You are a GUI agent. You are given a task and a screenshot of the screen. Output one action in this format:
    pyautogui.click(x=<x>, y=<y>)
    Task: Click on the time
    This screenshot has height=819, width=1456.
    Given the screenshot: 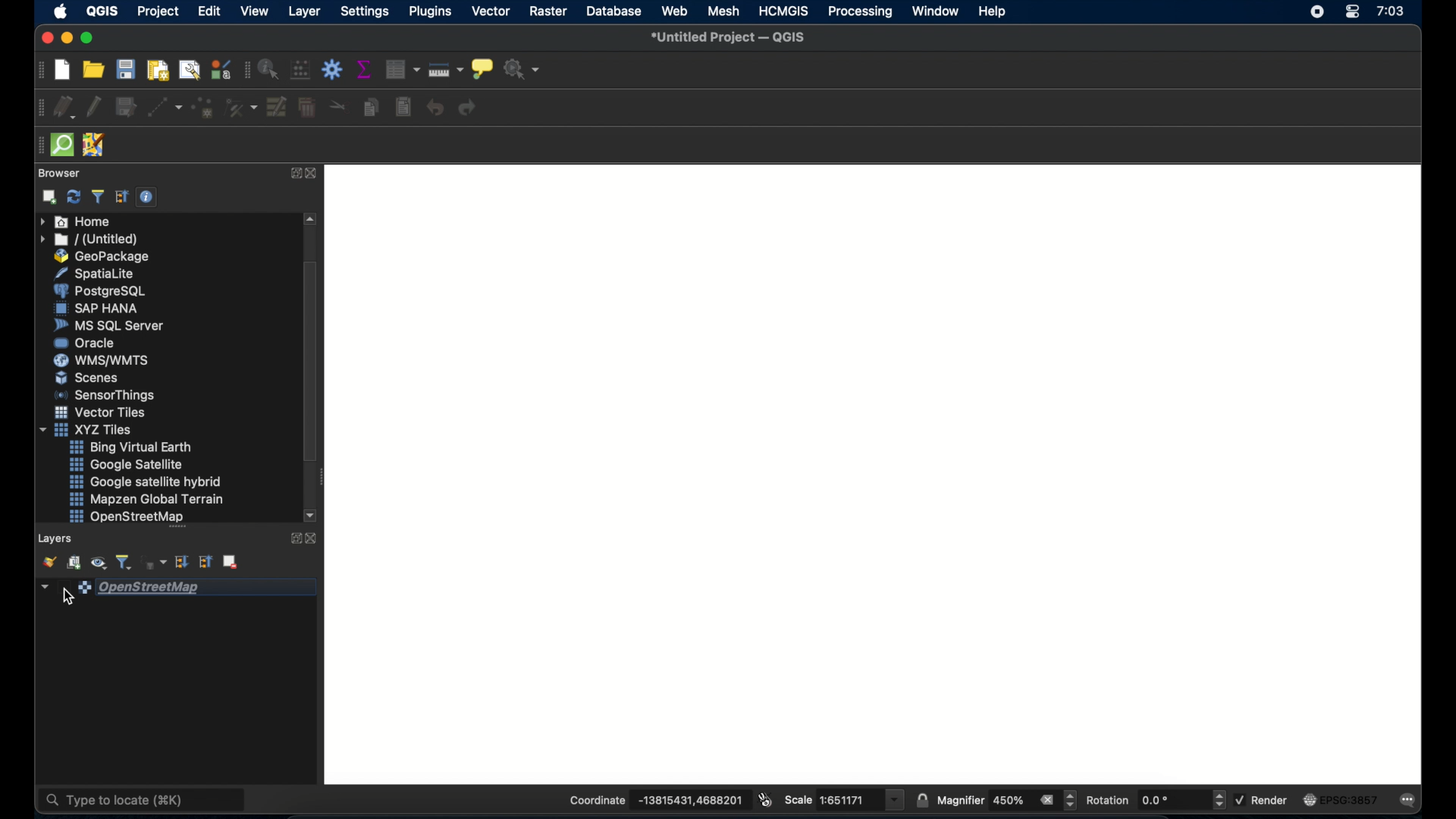 What is the action you would take?
    pyautogui.click(x=1390, y=14)
    